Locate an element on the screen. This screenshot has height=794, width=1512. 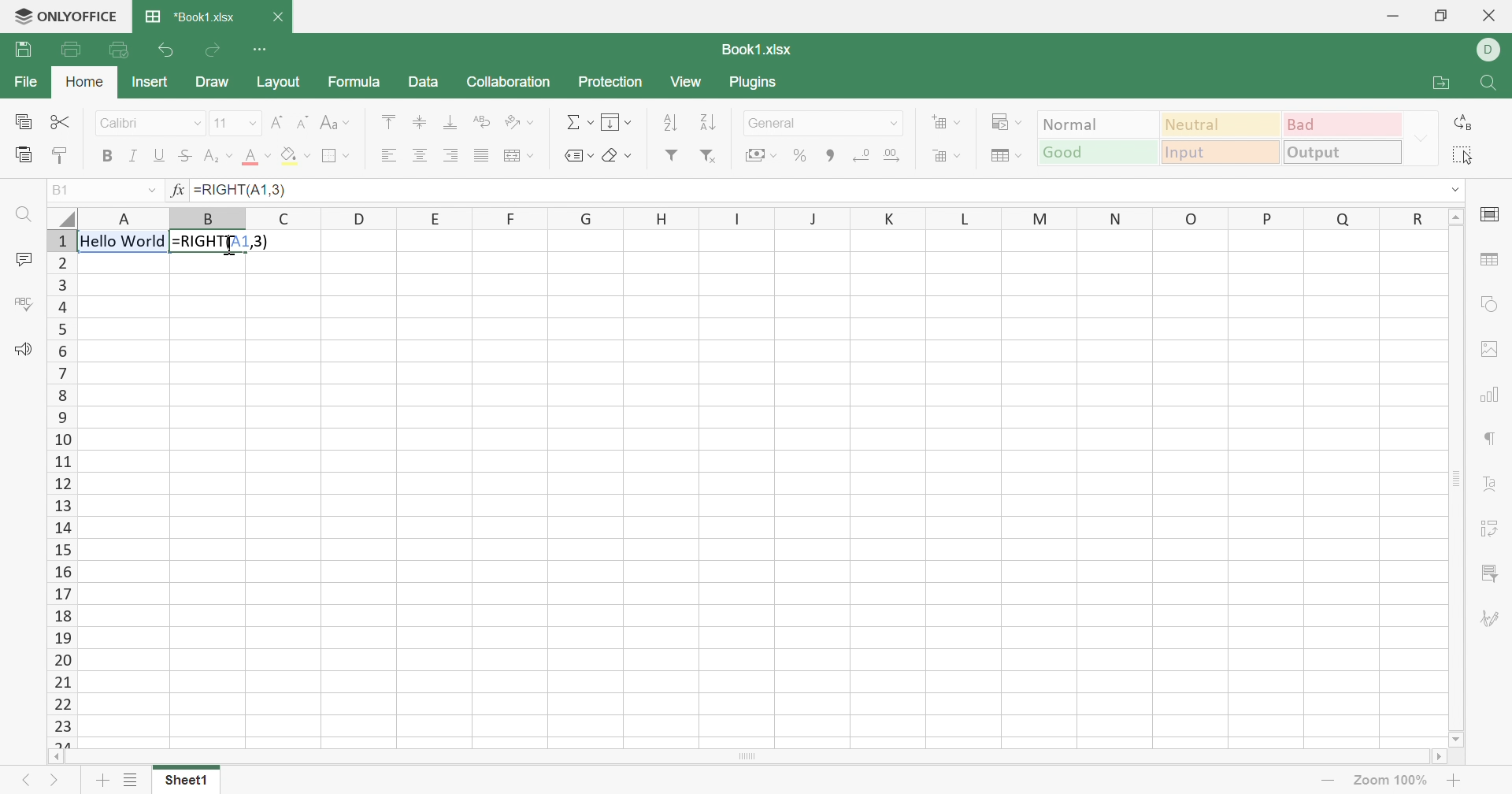
Wrap text is located at coordinates (480, 123).